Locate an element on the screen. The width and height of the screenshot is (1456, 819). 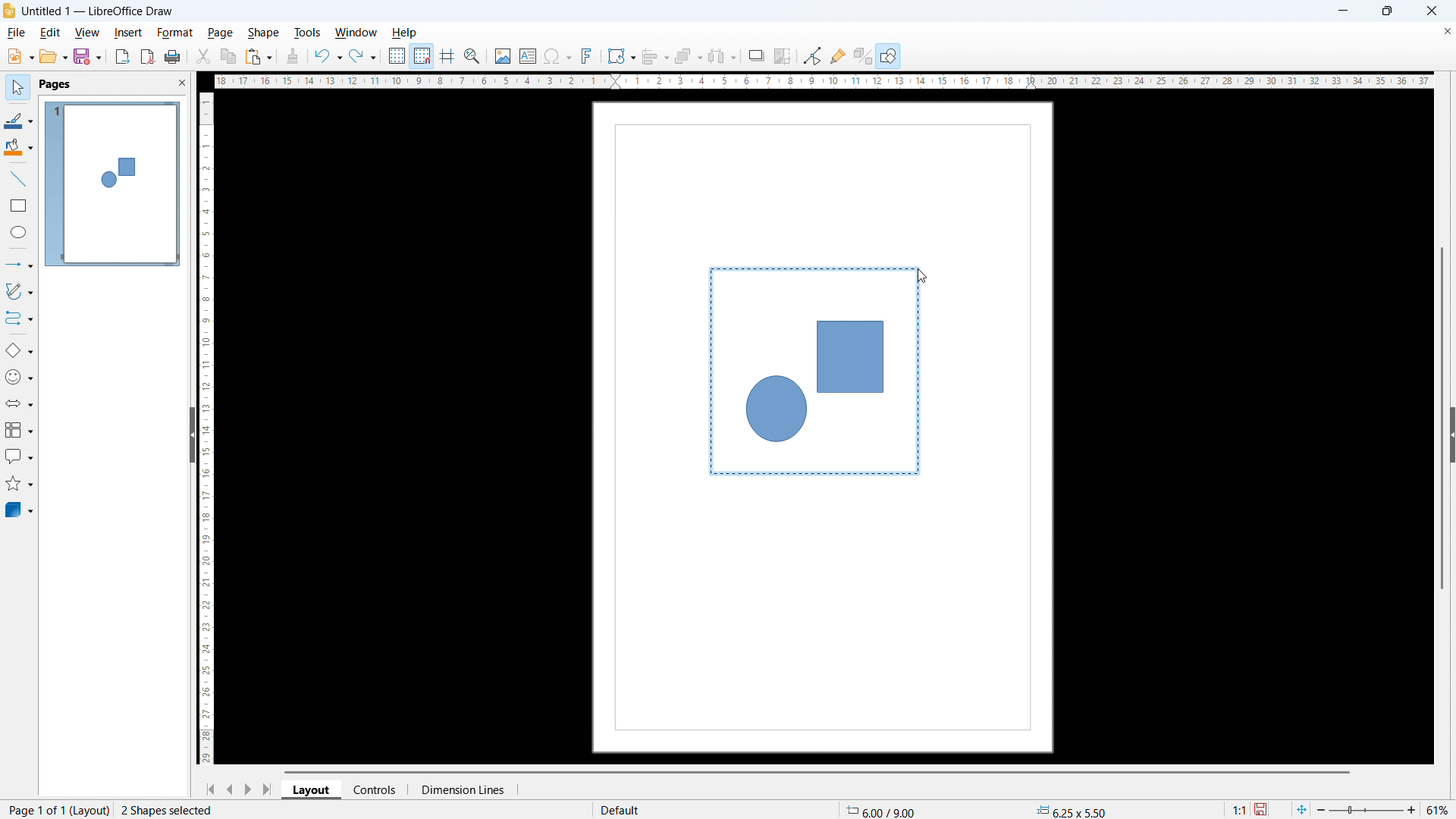
close pane is located at coordinates (181, 83).